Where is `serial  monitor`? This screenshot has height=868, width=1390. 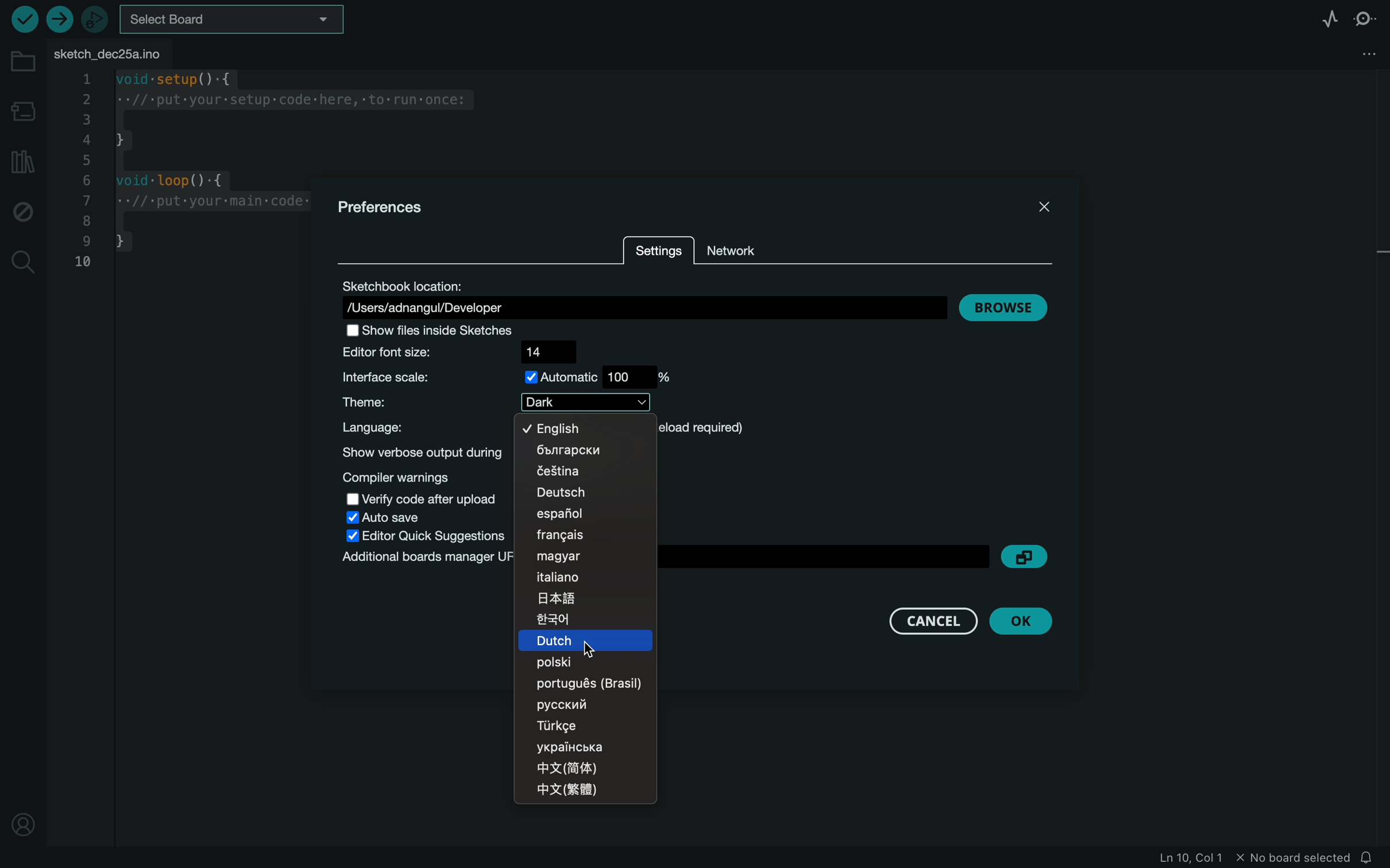 serial  monitor is located at coordinates (1365, 19).